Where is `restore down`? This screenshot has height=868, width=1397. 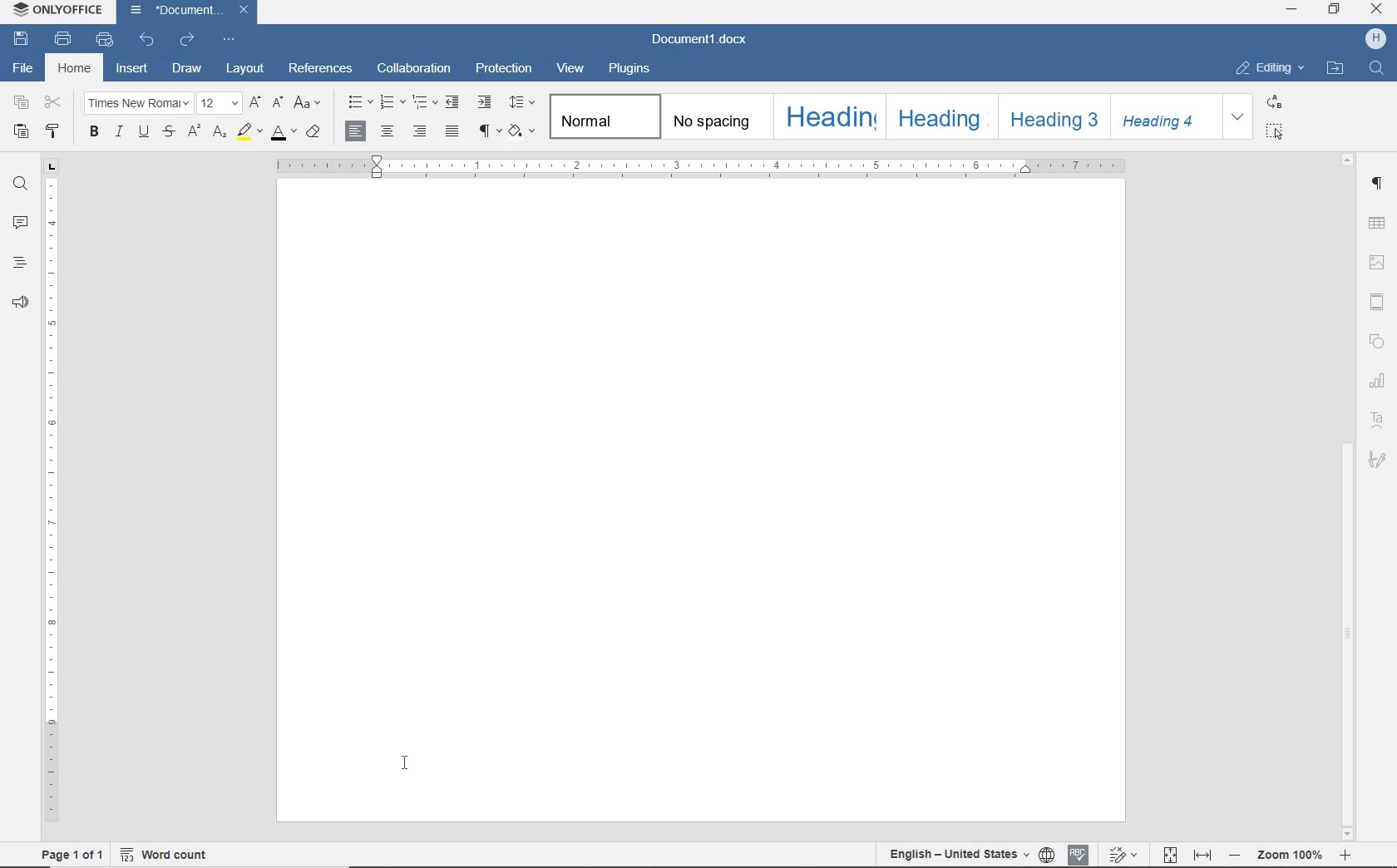 restore down is located at coordinates (1335, 11).